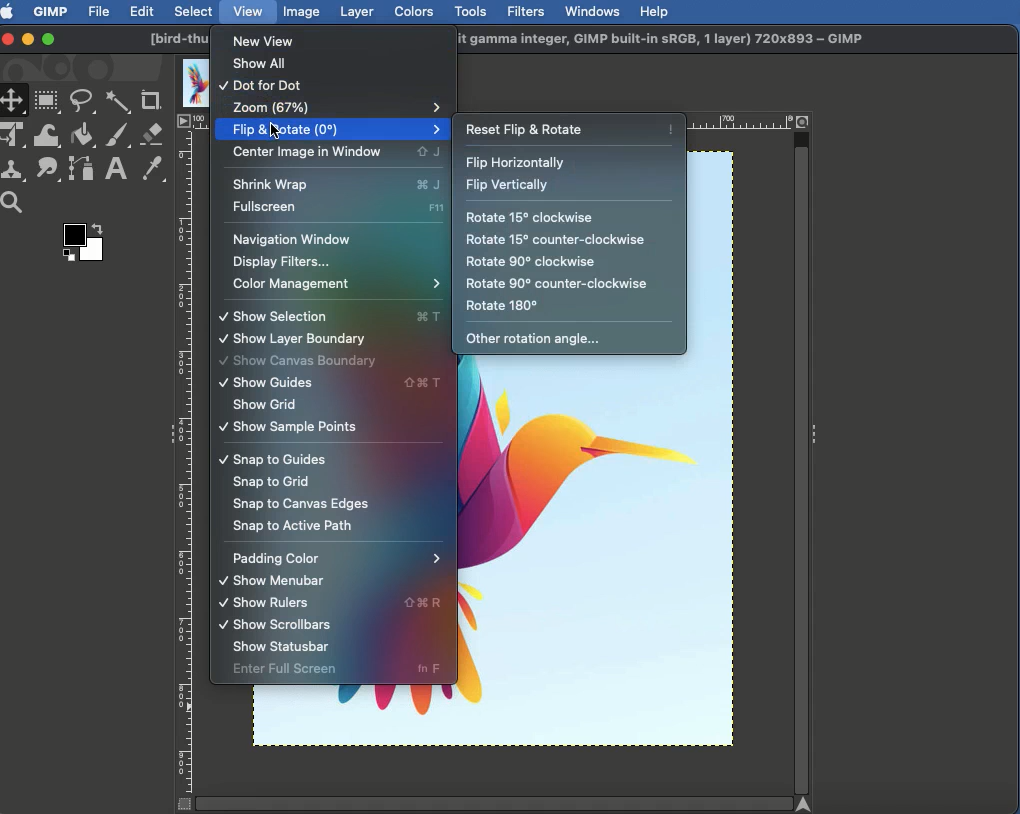  Describe the element at coordinates (271, 40) in the screenshot. I see `New view` at that location.